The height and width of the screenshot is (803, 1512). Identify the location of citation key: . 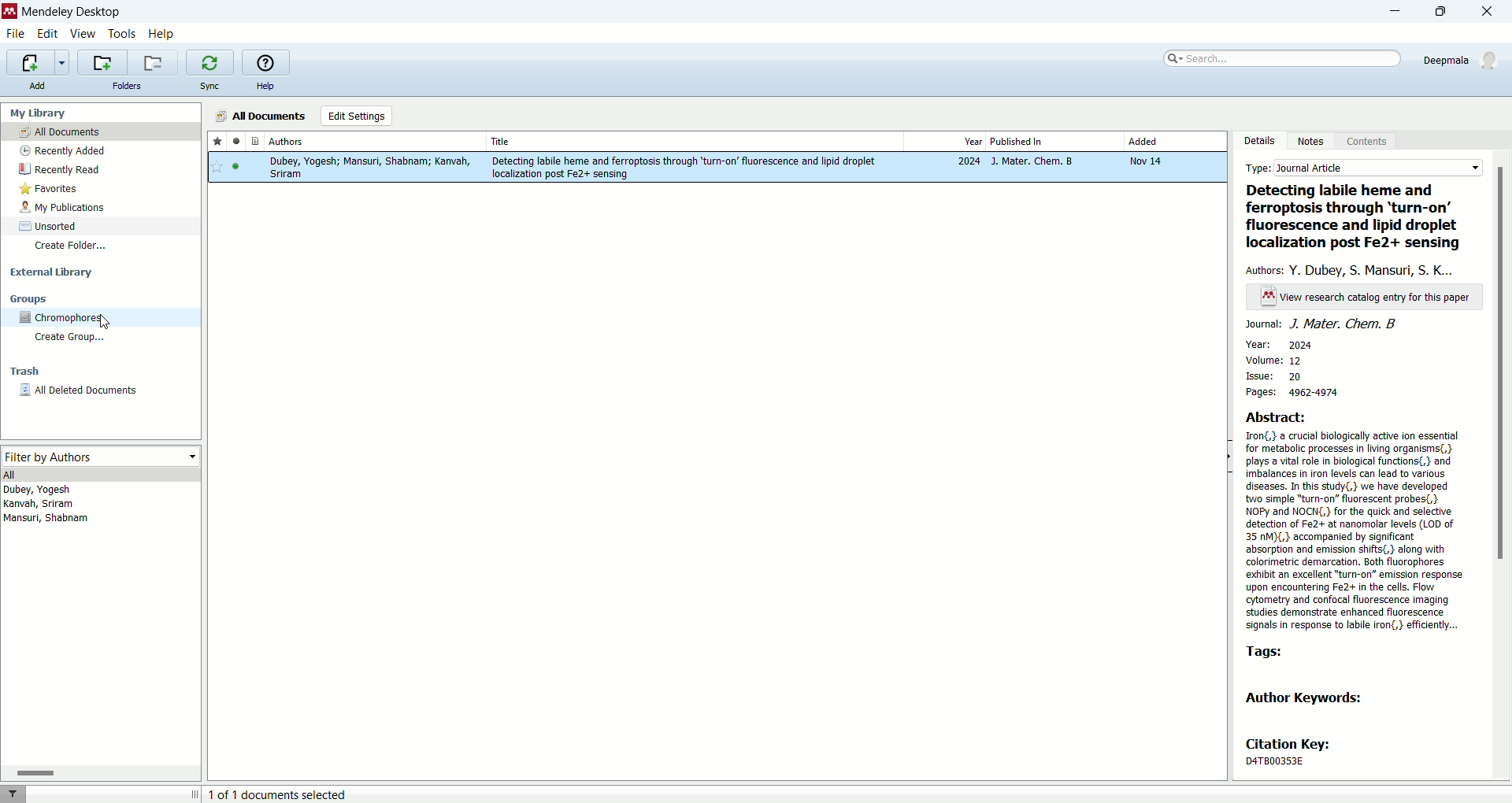
(1295, 744).